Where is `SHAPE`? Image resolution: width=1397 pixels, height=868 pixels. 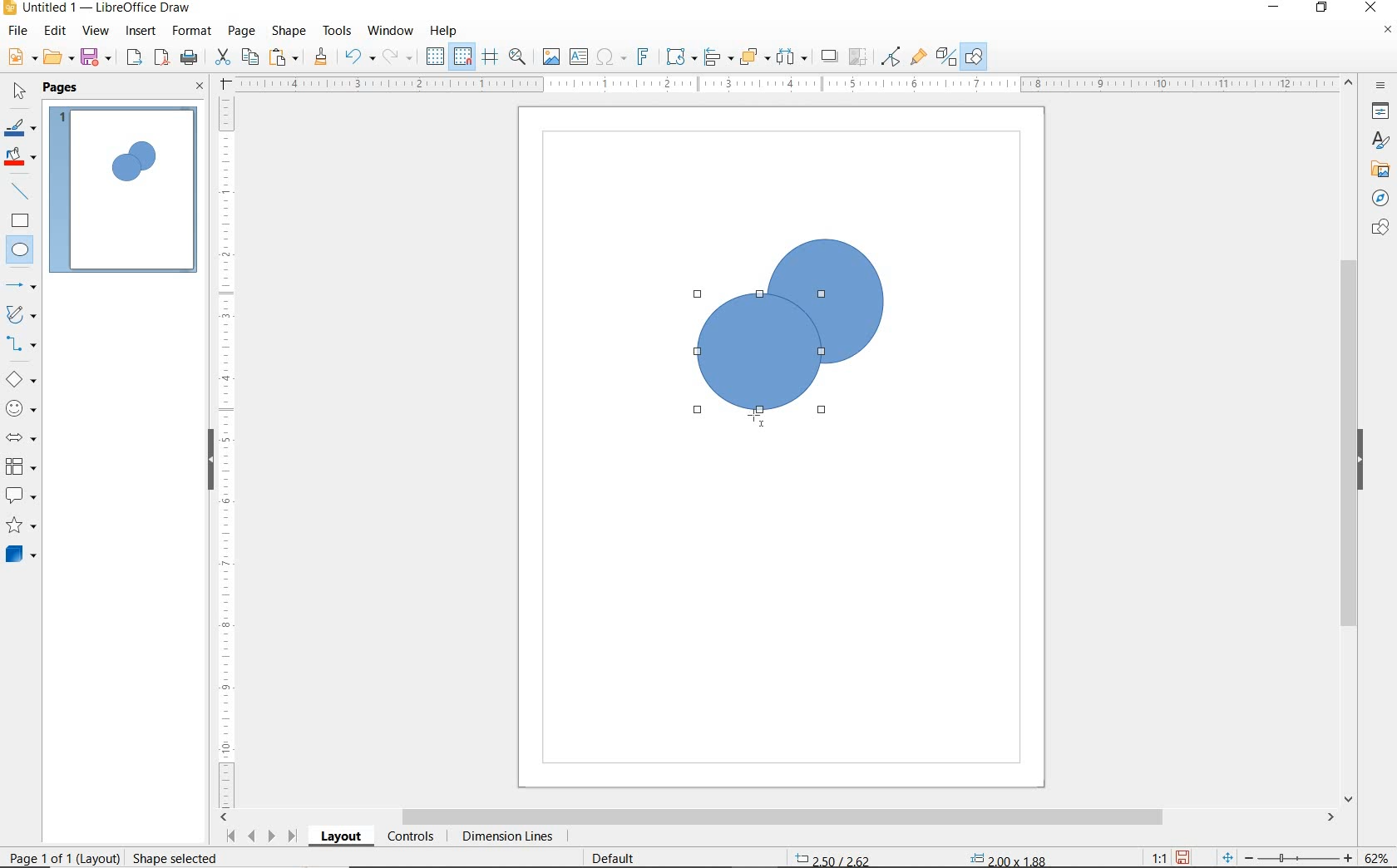 SHAPE is located at coordinates (290, 33).